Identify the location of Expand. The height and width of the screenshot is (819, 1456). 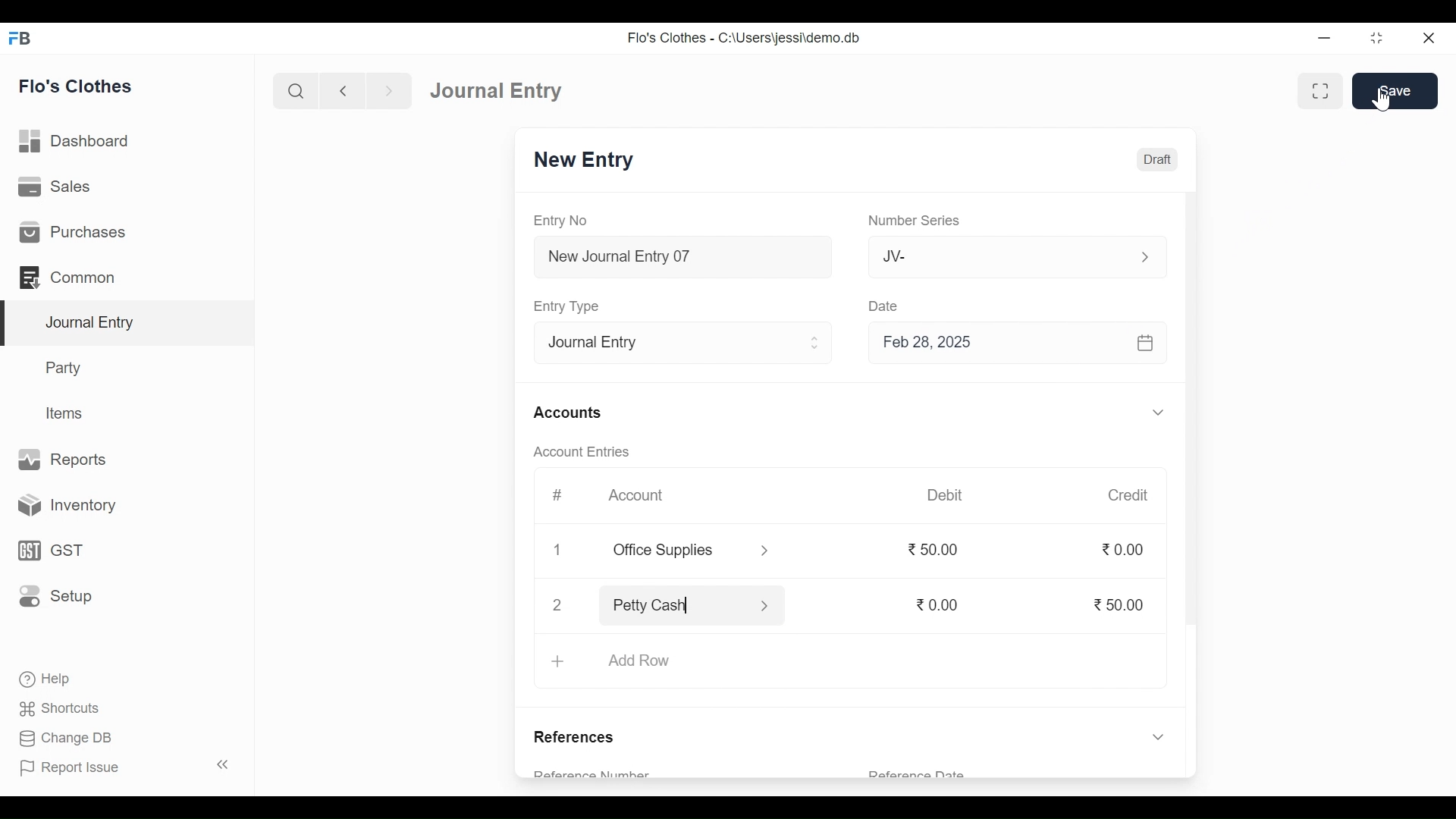
(767, 605).